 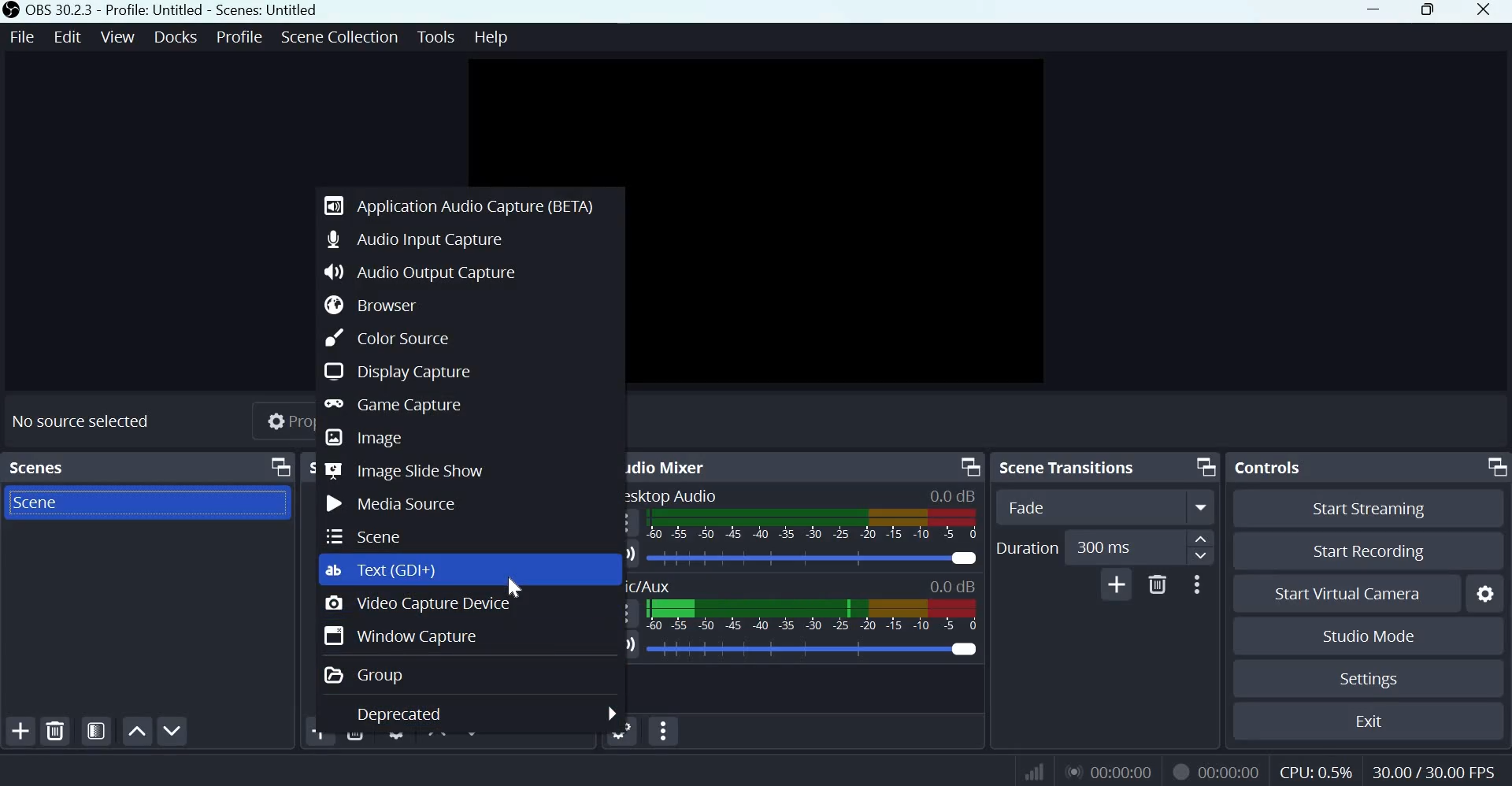 What do you see at coordinates (1429, 11) in the screenshot?
I see `Window size toggle` at bounding box center [1429, 11].